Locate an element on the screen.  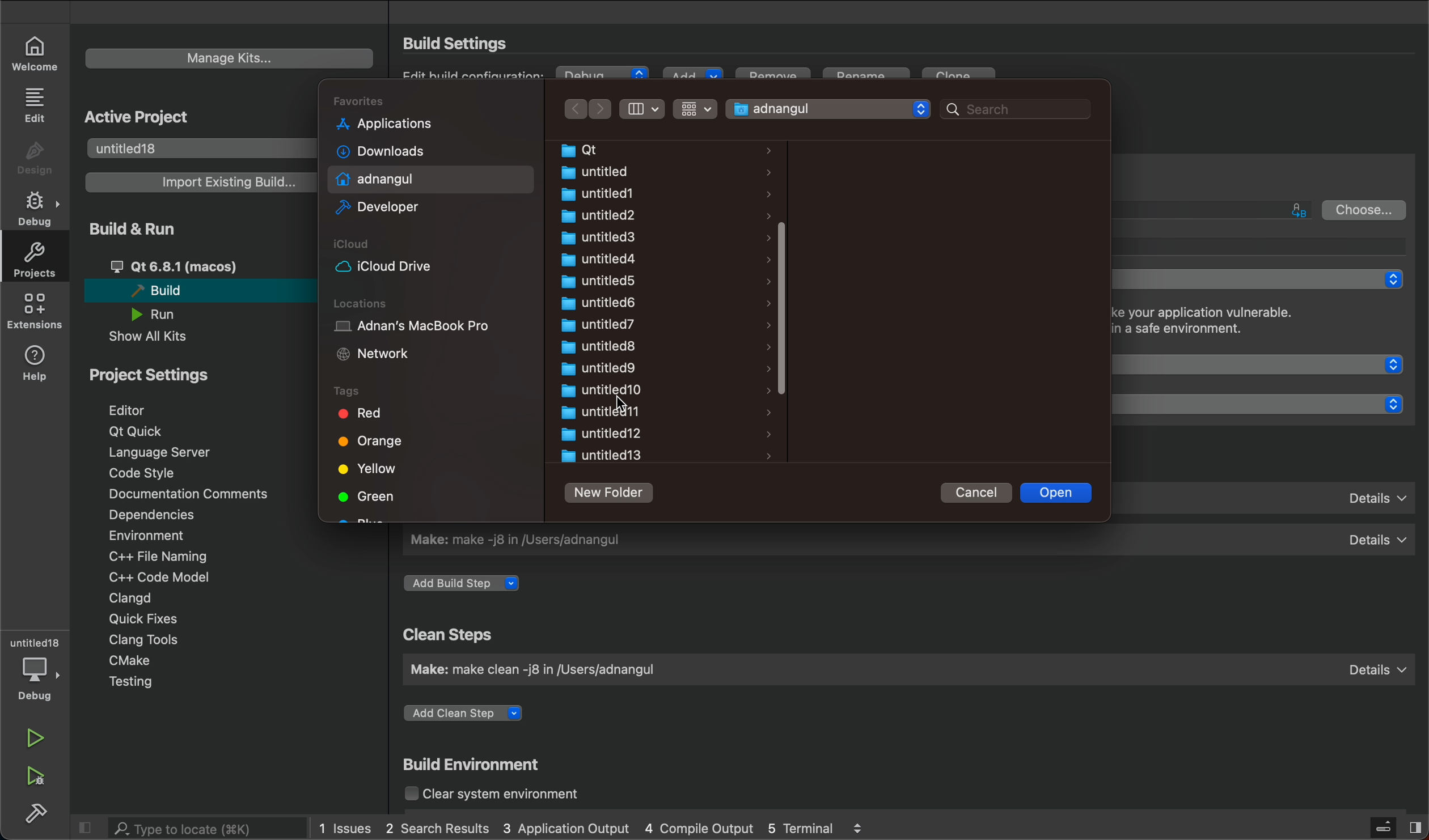
untitled11 is located at coordinates (663, 411).